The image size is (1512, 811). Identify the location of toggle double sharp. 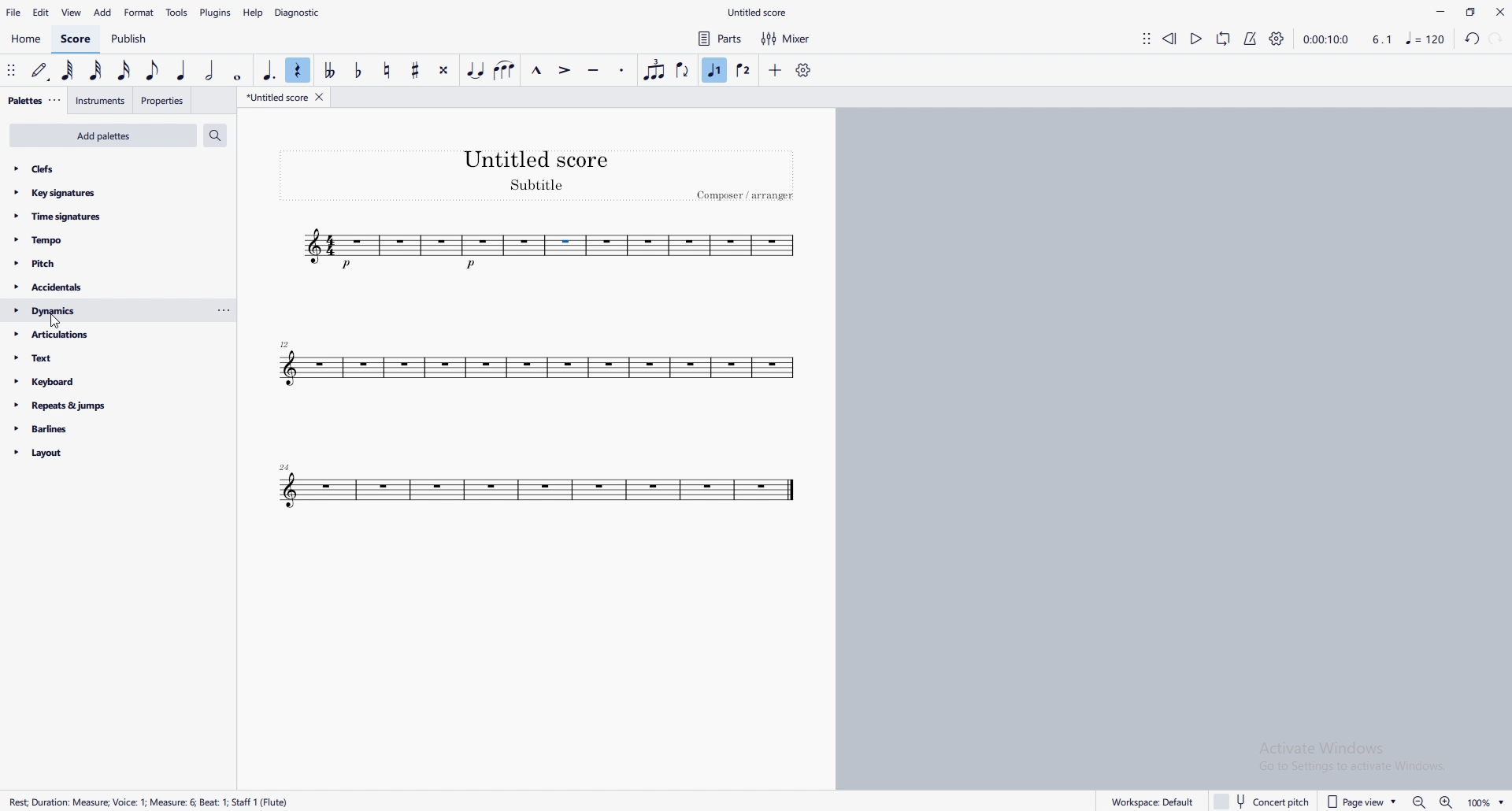
(443, 70).